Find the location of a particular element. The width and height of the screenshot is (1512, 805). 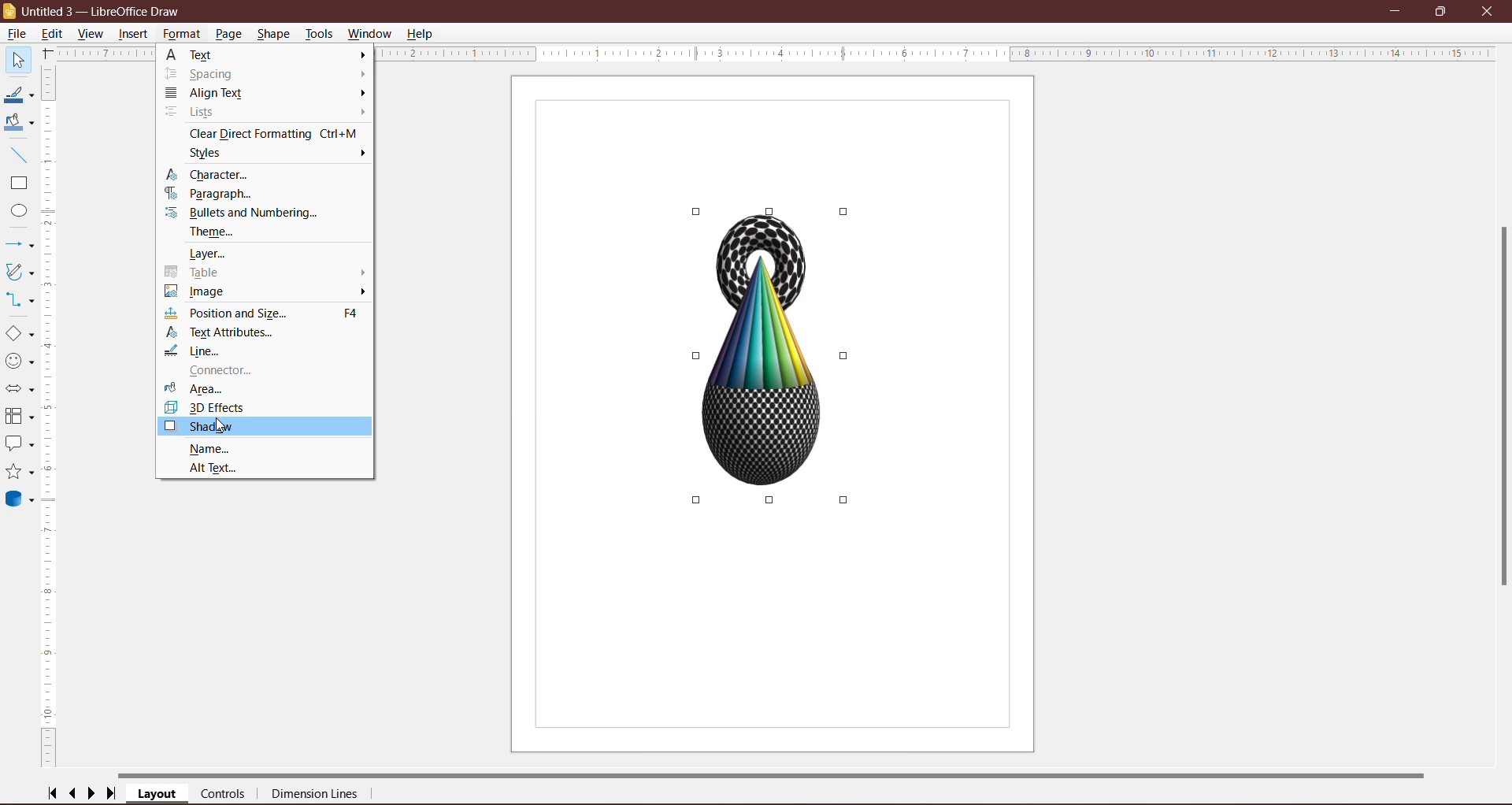

Tools is located at coordinates (320, 33).